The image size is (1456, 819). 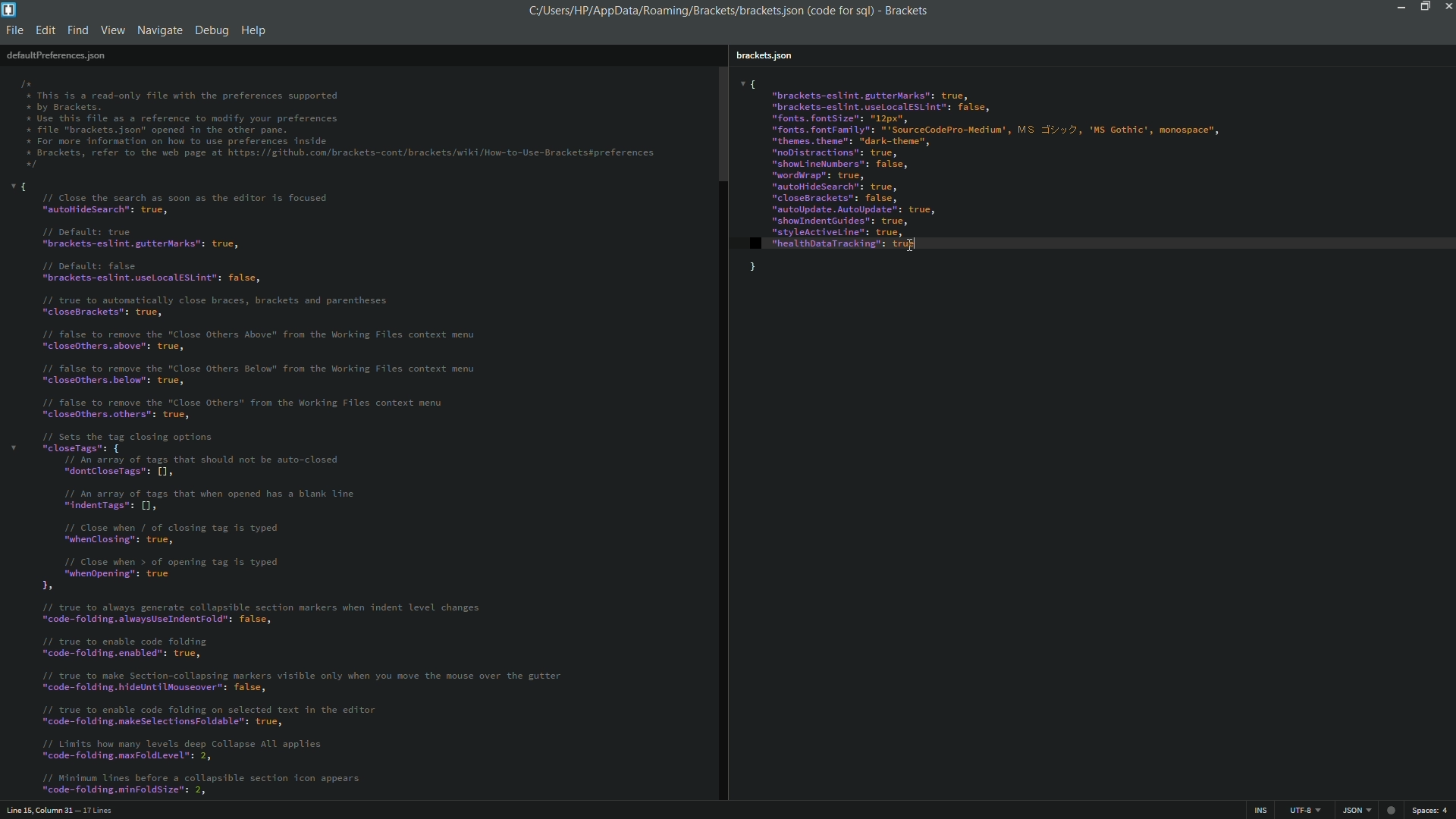 I want to click on cursor, so click(x=911, y=243).